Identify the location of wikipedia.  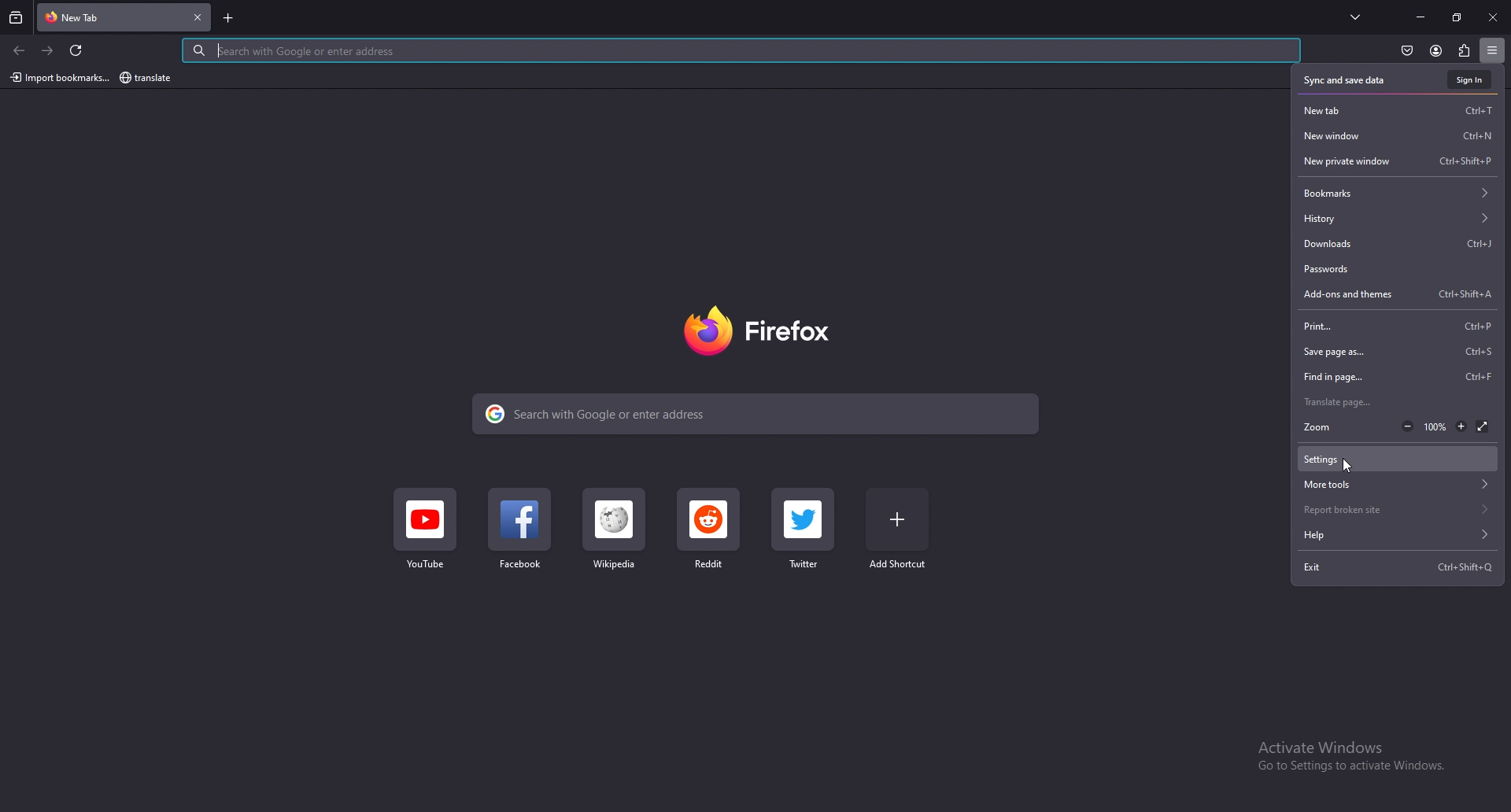
(612, 533).